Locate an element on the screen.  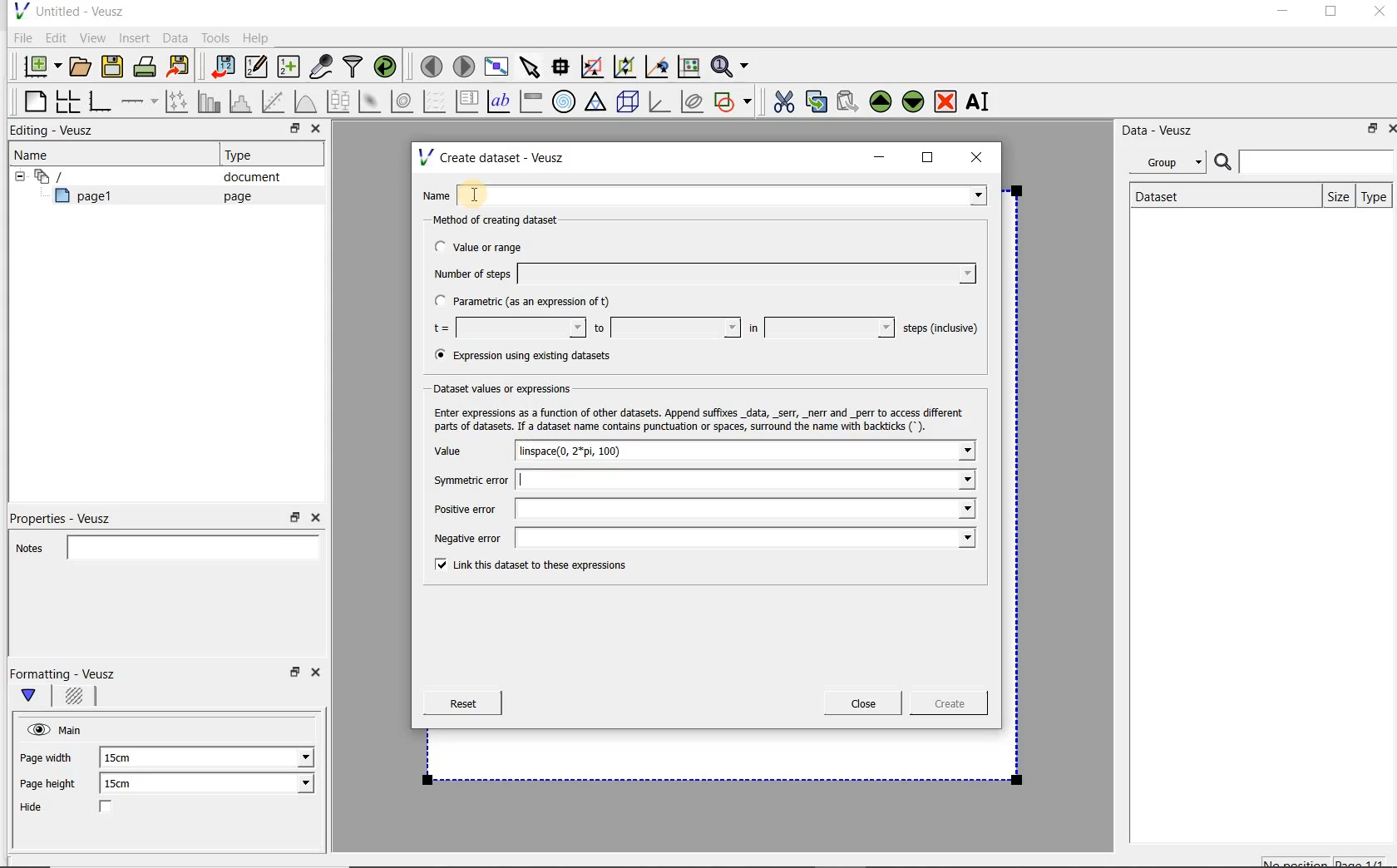
Page width is located at coordinates (47, 755).